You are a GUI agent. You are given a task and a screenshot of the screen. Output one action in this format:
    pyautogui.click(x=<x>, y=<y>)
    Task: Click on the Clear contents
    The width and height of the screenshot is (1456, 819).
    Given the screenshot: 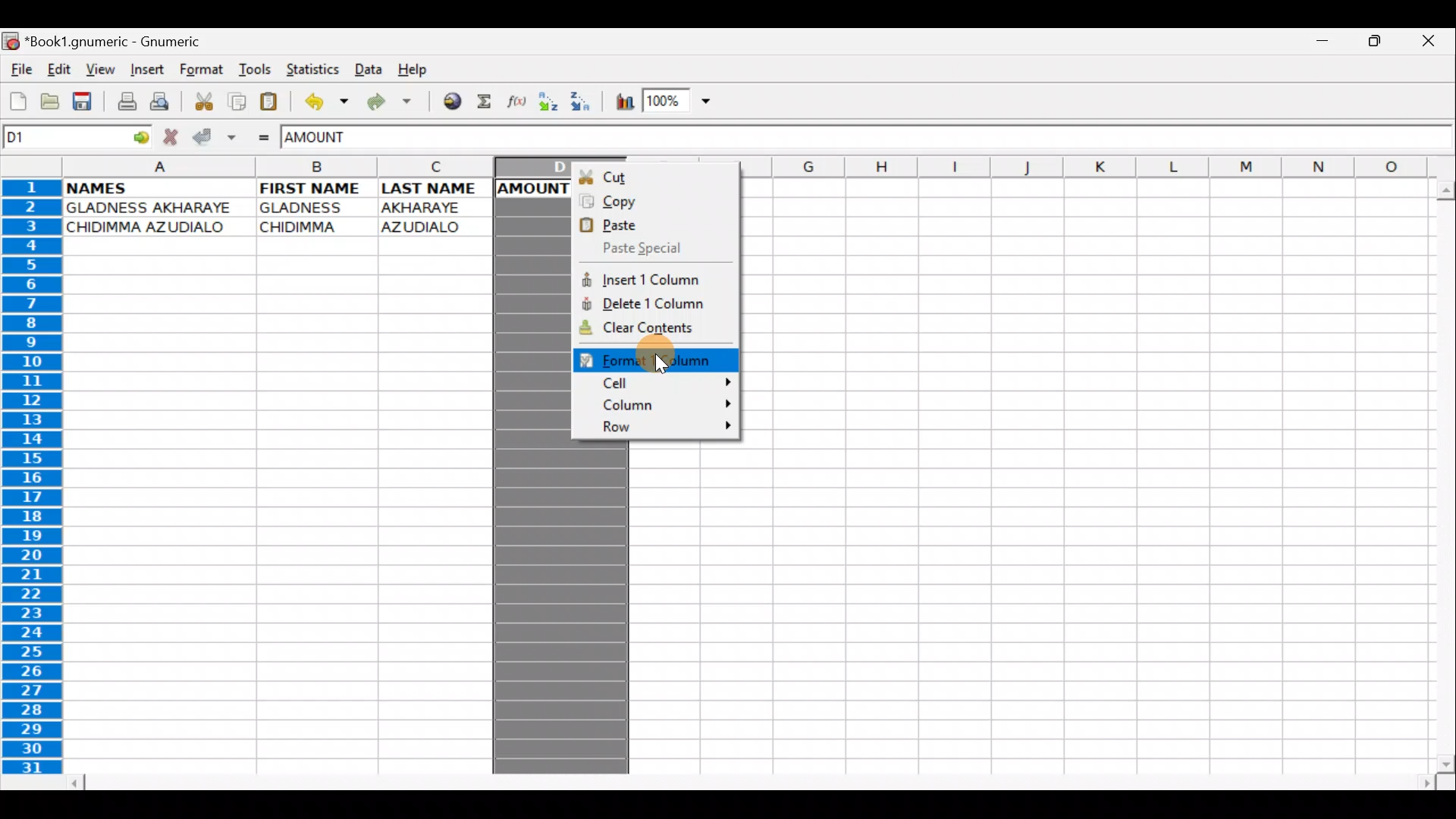 What is the action you would take?
    pyautogui.click(x=654, y=329)
    